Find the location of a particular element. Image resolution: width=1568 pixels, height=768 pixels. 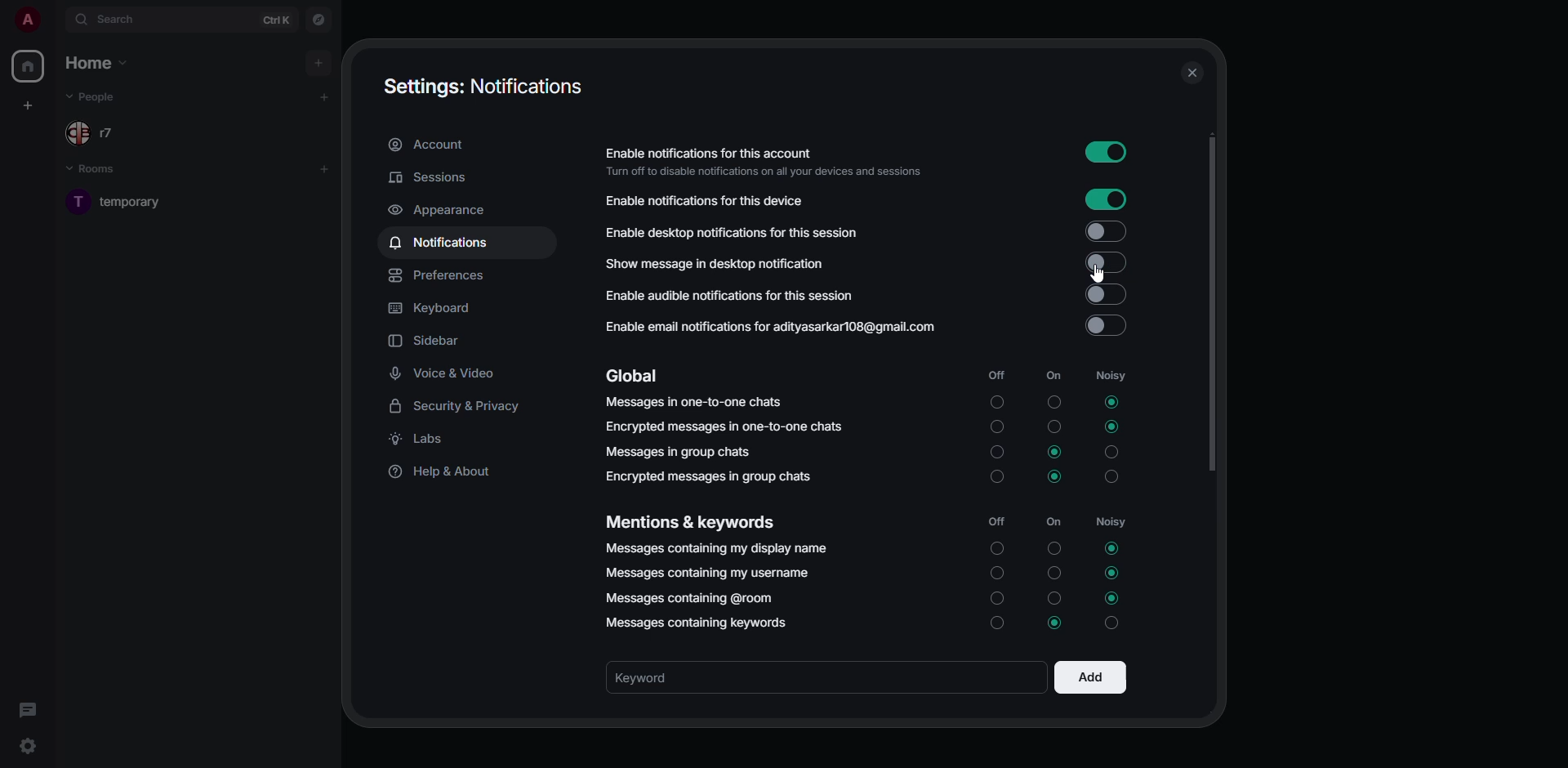

Off Unselected is located at coordinates (996, 572).